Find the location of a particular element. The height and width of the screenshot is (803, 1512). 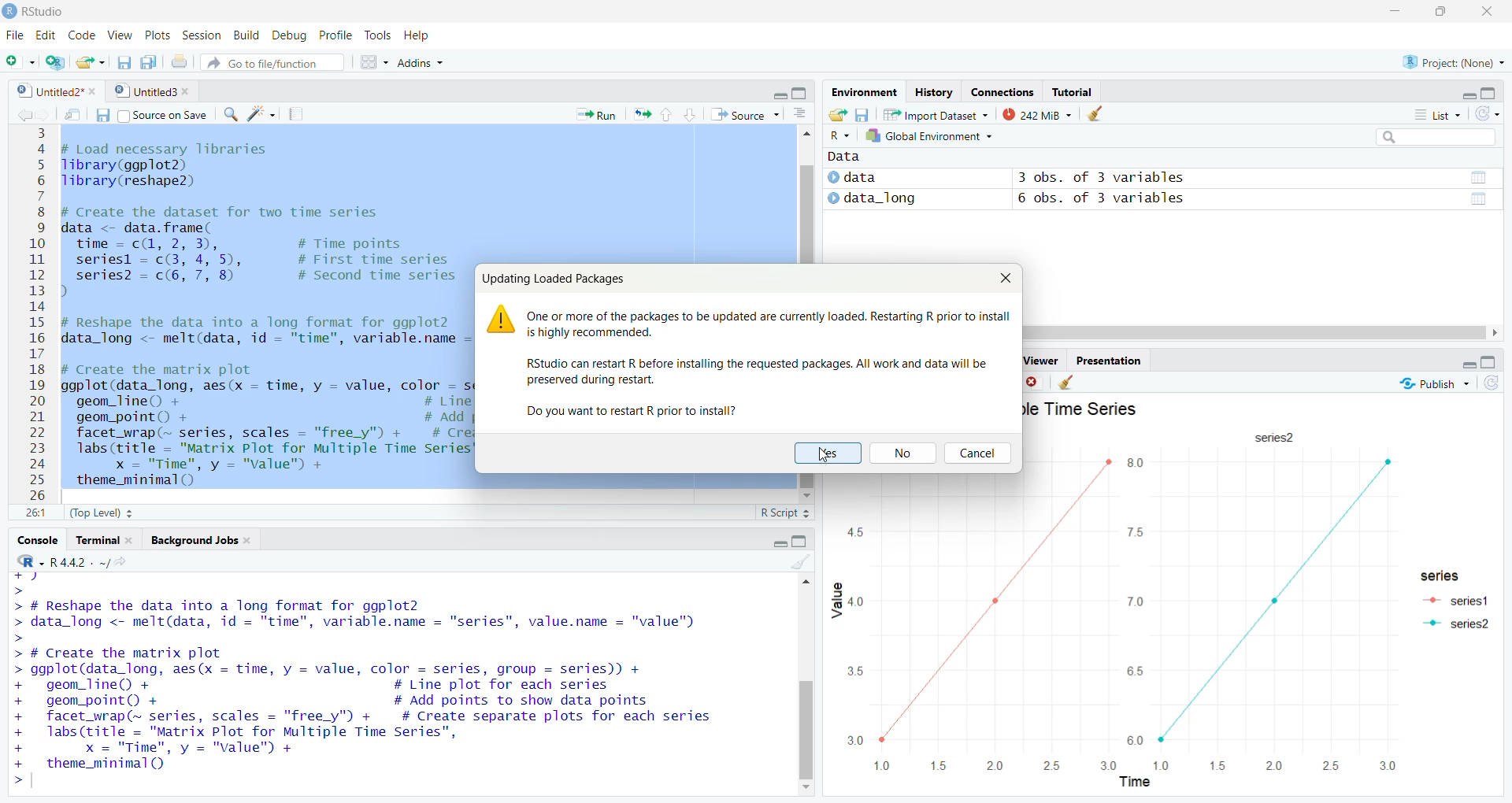

save all open documents is located at coordinates (148, 61).